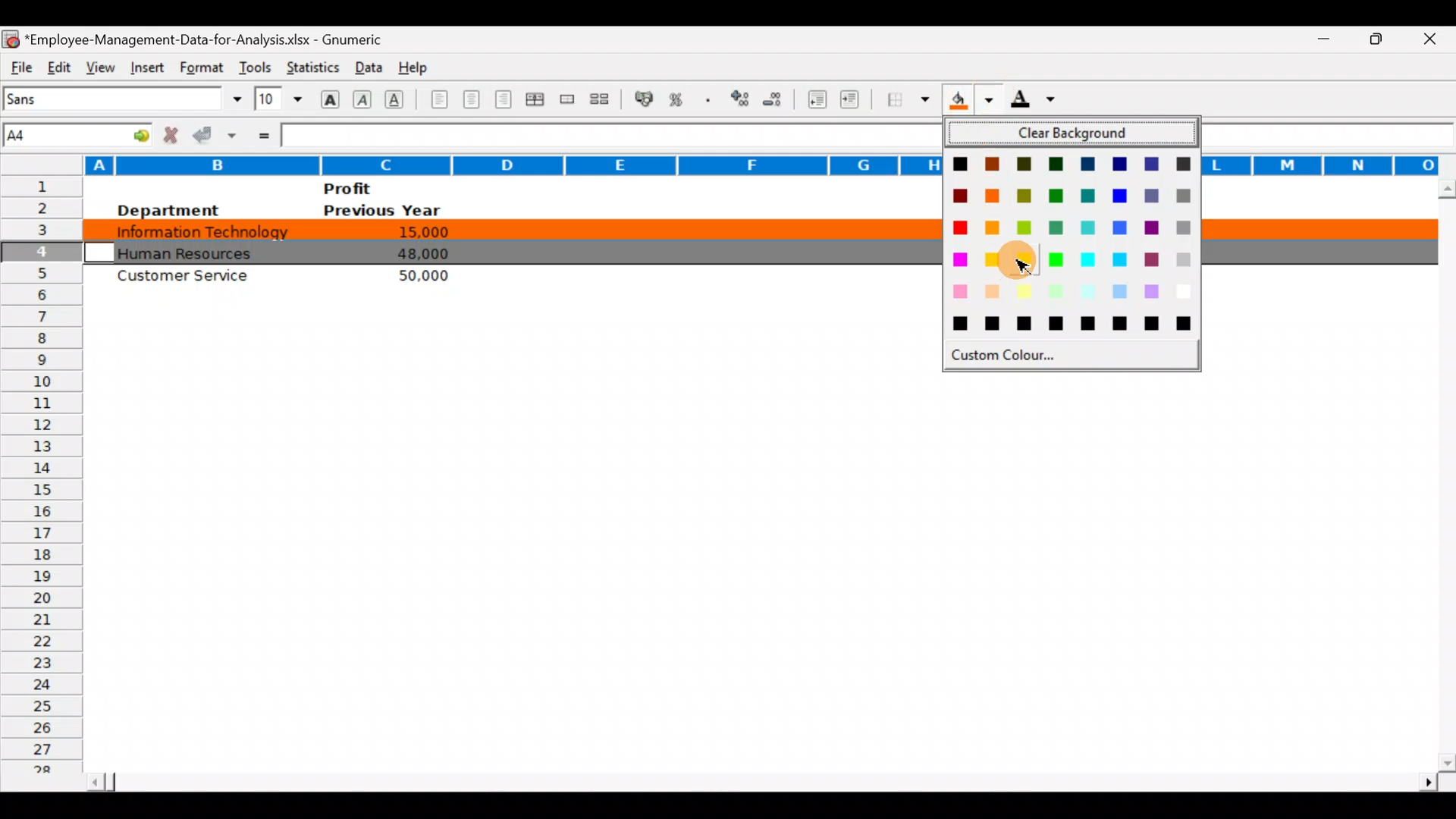 Image resolution: width=1456 pixels, height=819 pixels. I want to click on Custom color, so click(1006, 359).